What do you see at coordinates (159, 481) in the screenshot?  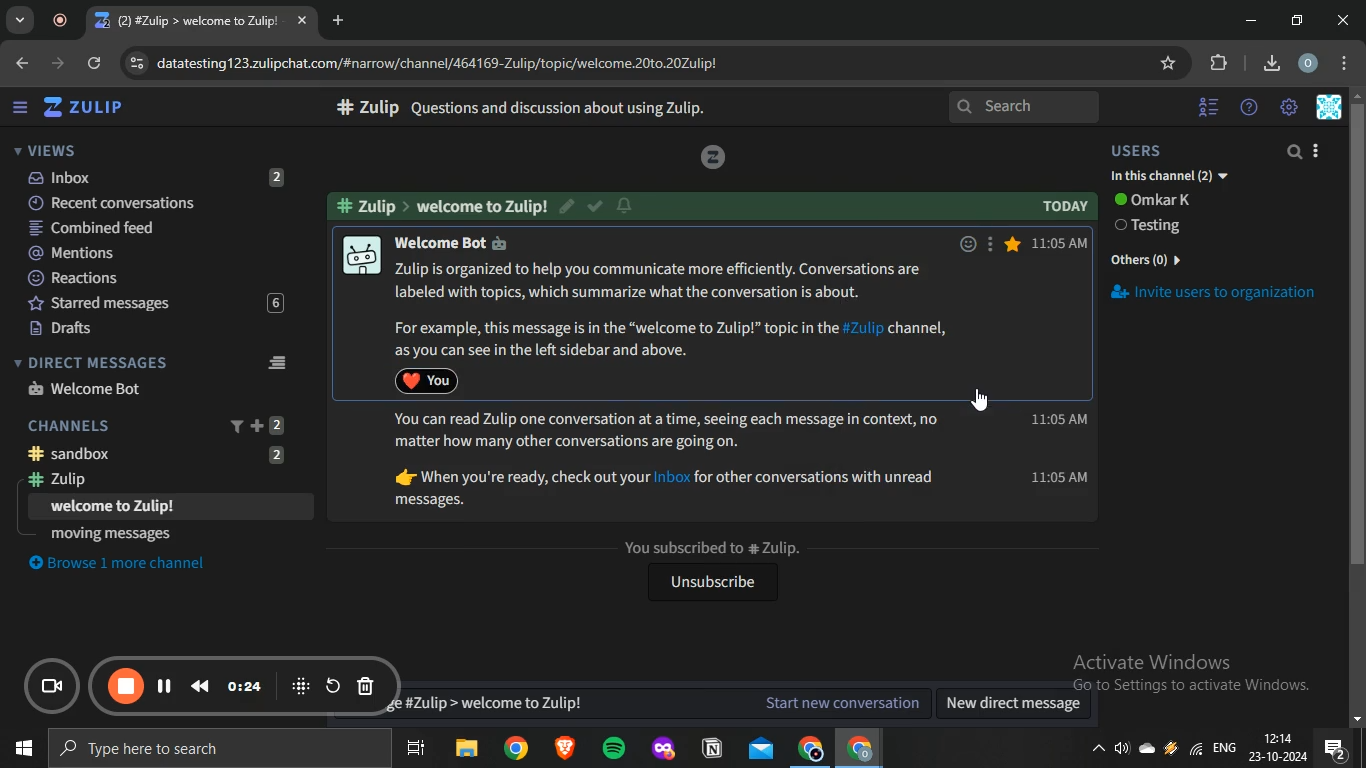 I see `zulip` at bounding box center [159, 481].